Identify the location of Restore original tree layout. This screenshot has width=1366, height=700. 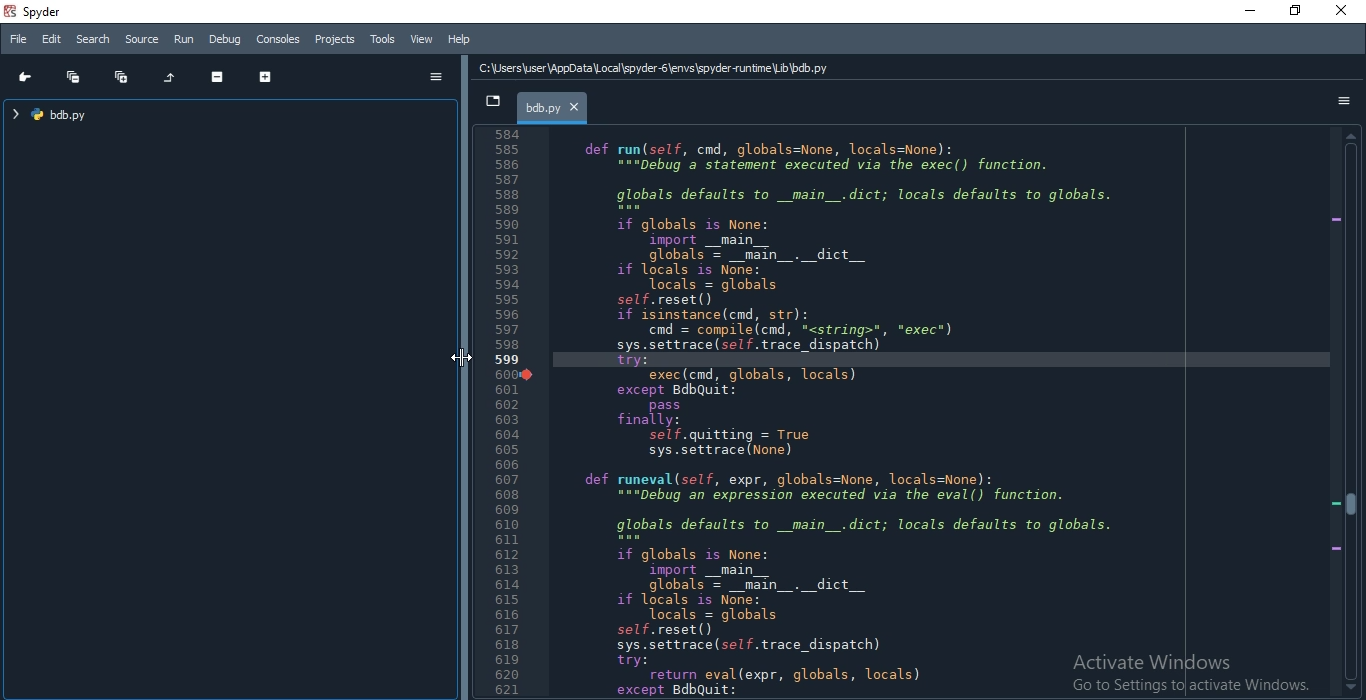
(170, 78).